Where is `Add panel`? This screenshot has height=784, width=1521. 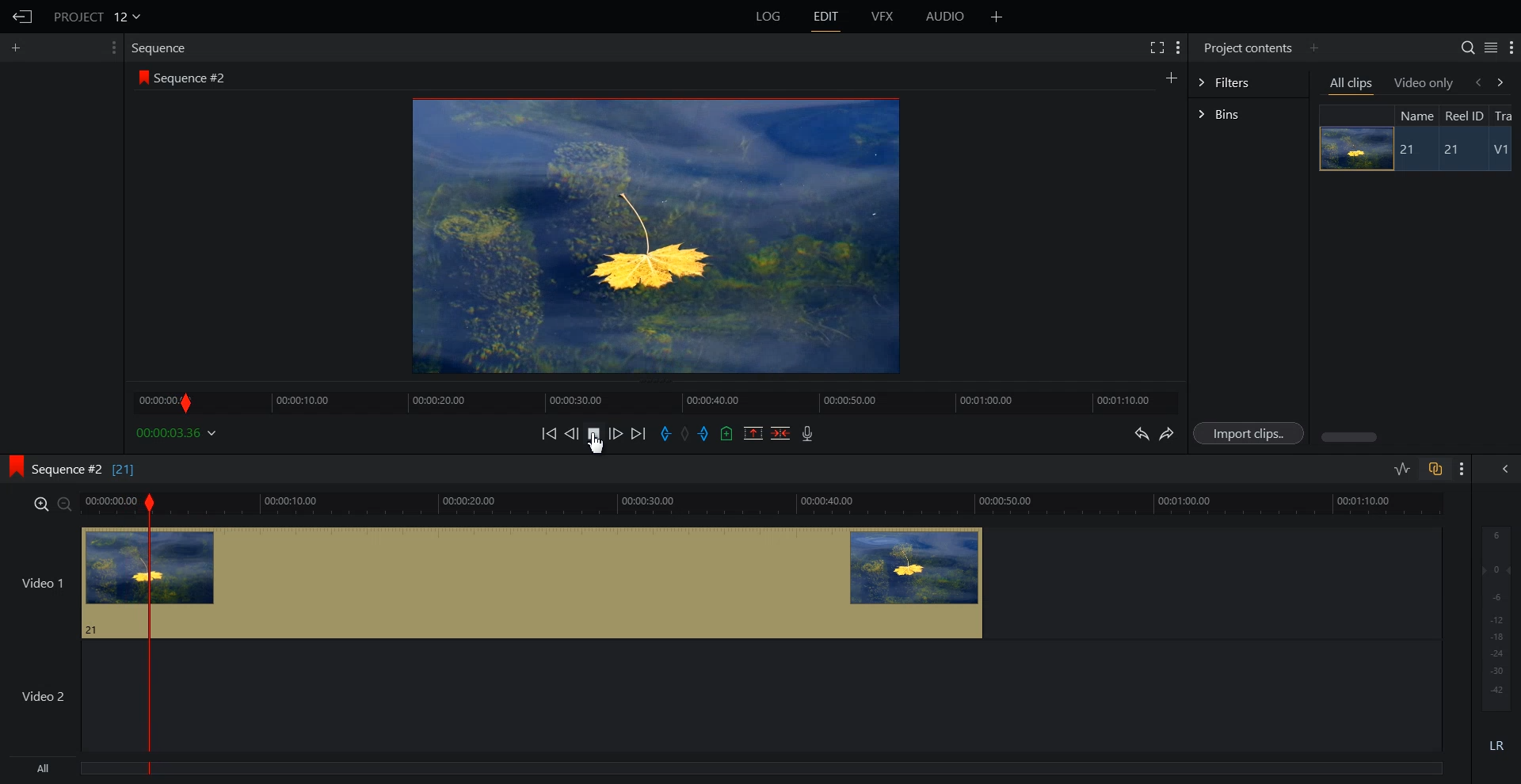 Add panel is located at coordinates (1313, 48).